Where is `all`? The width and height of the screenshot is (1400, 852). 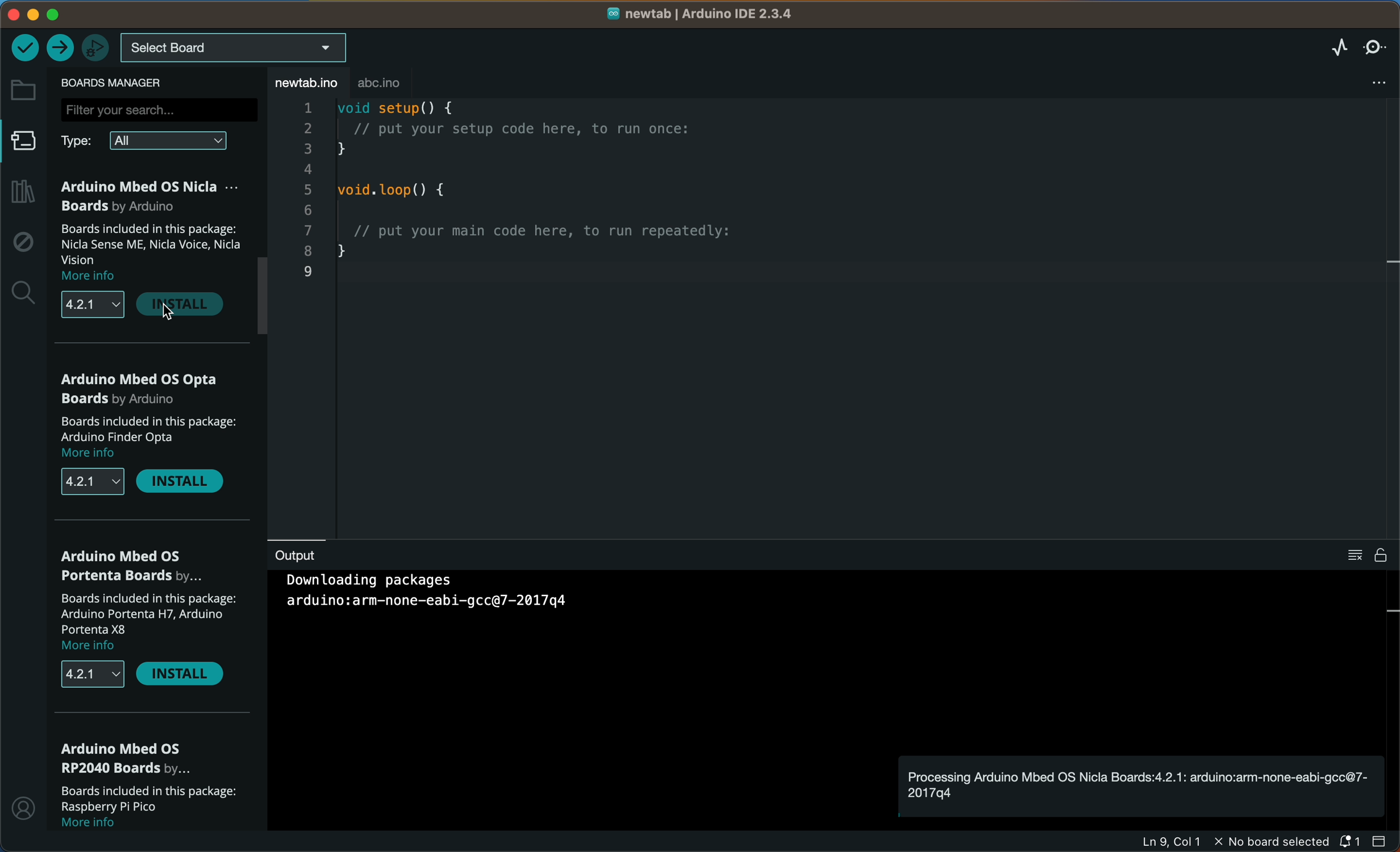 all is located at coordinates (168, 143).